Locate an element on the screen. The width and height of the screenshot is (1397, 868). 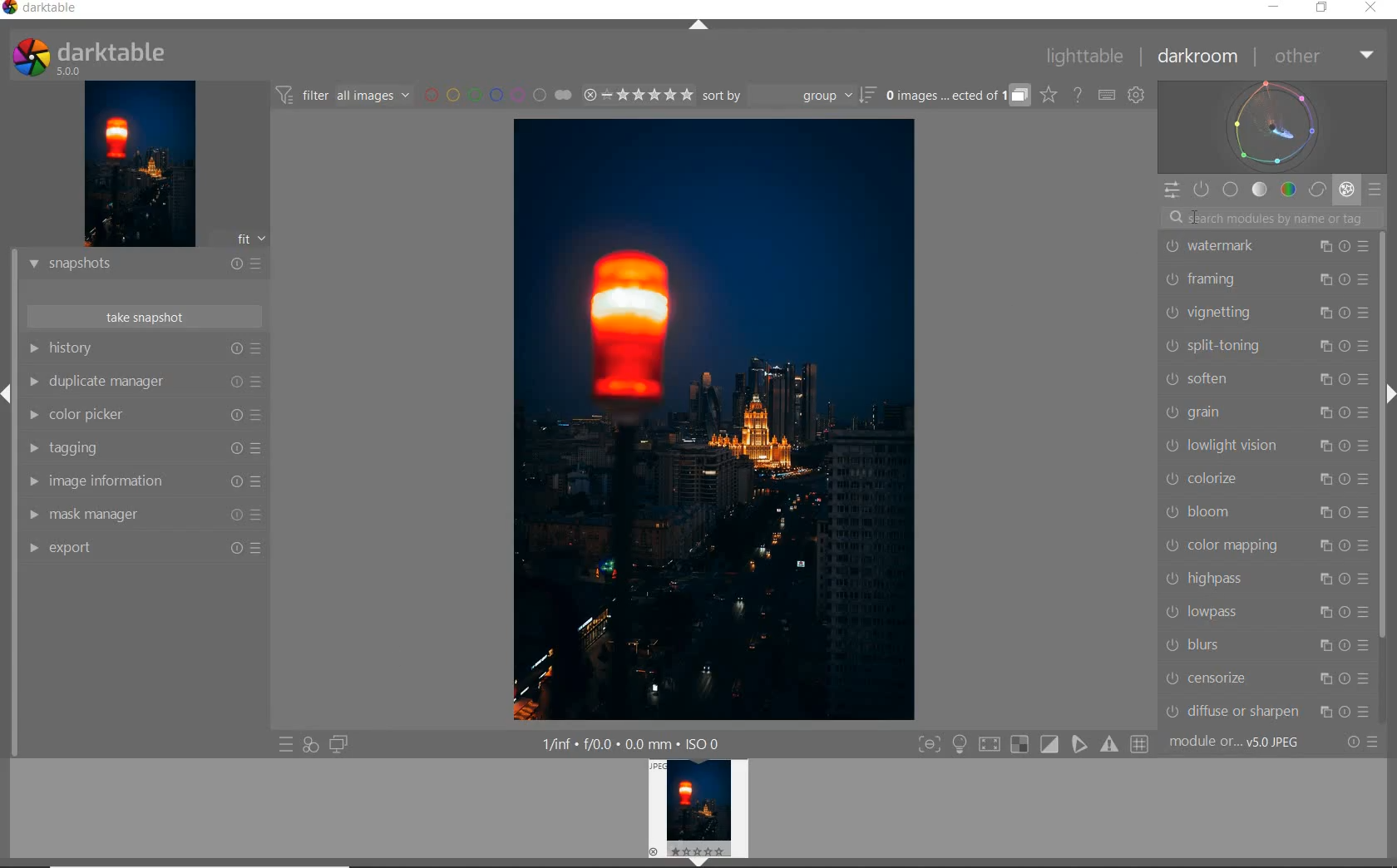
Multiple instance is located at coordinates (1323, 447).